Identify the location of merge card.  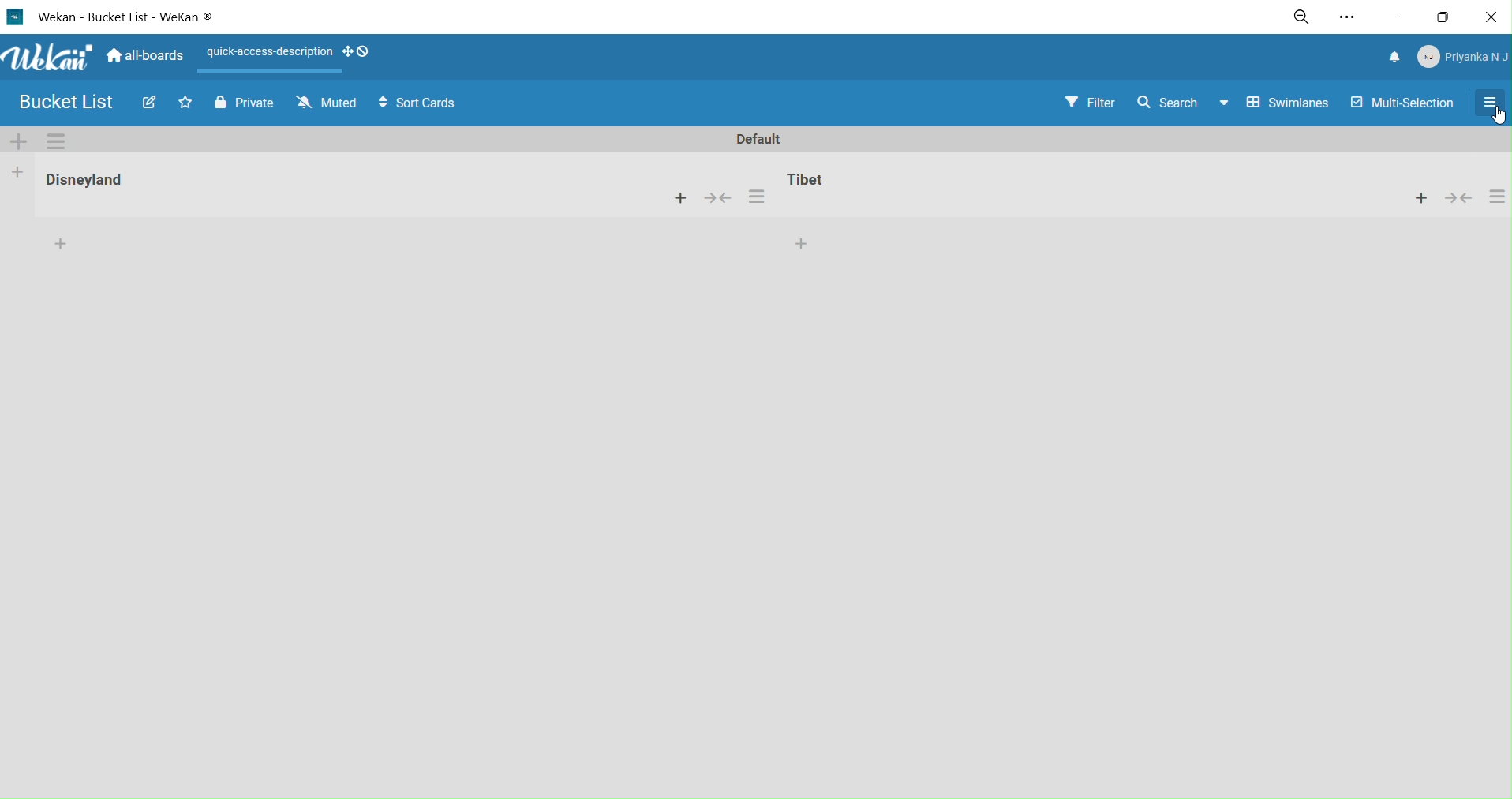
(1461, 201).